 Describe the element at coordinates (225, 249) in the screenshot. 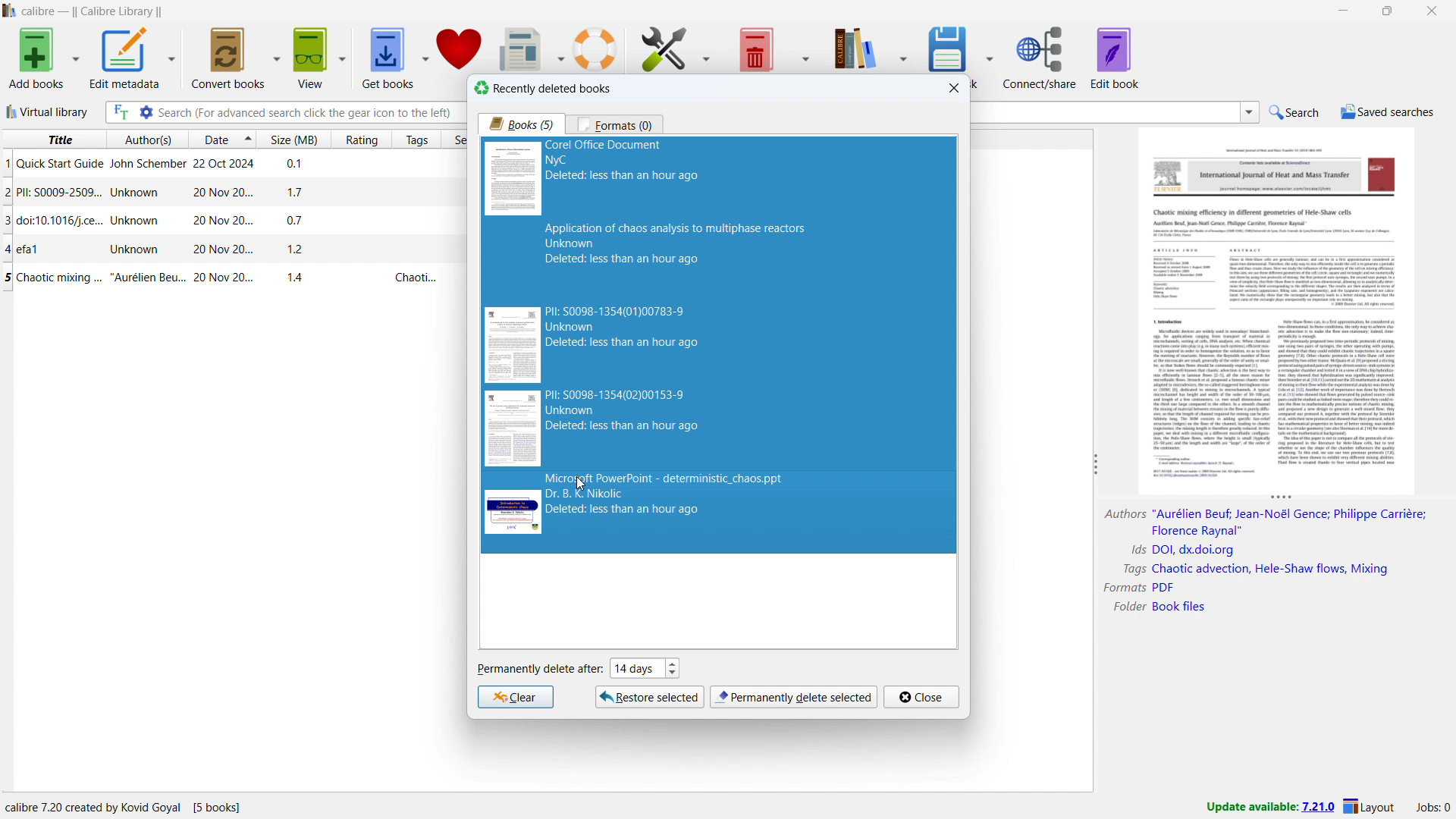

I see `single book entry` at that location.